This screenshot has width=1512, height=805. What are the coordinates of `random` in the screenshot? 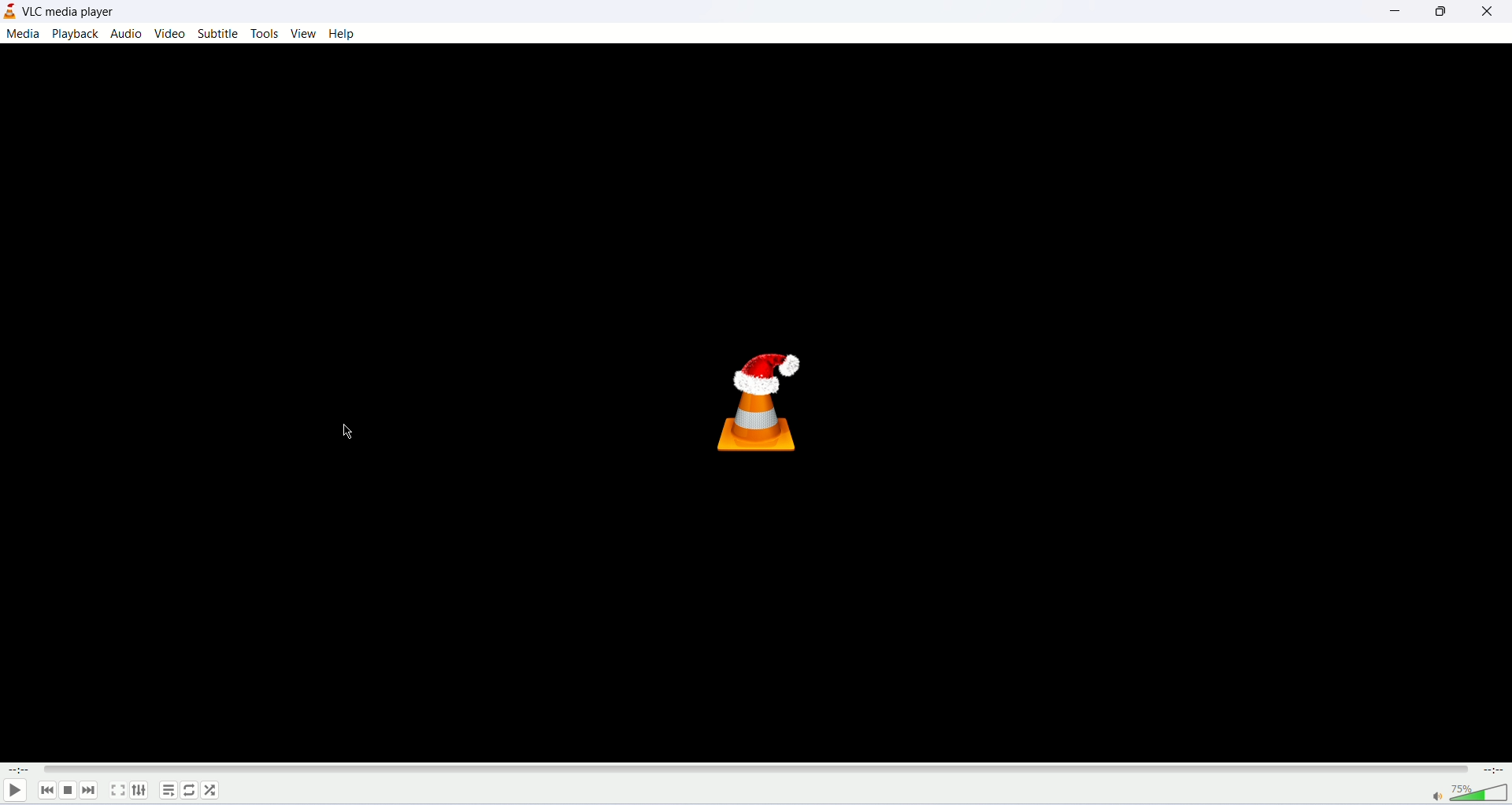 It's located at (212, 791).